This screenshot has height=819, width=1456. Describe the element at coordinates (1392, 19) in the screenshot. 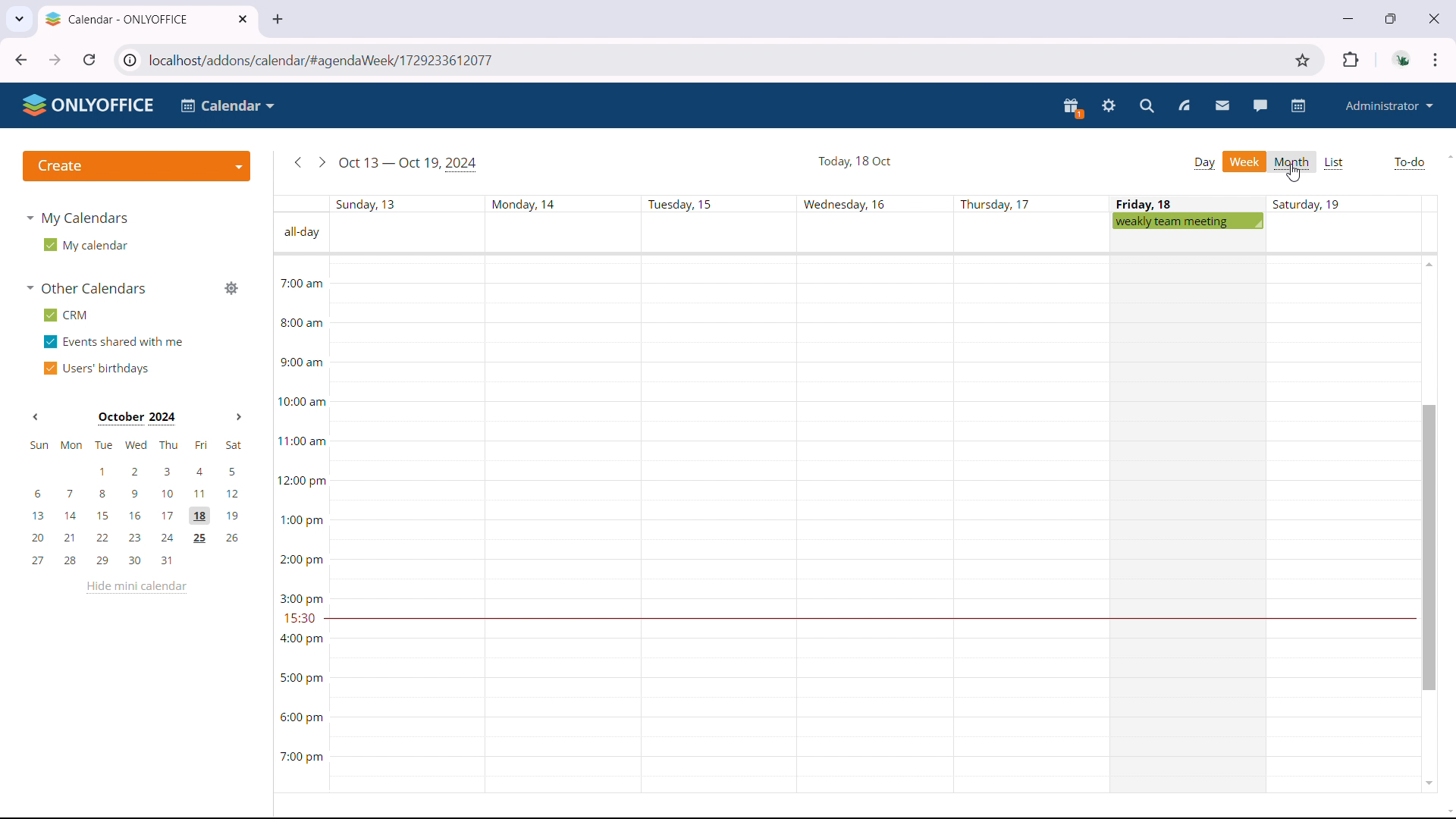

I see `maximize` at that location.